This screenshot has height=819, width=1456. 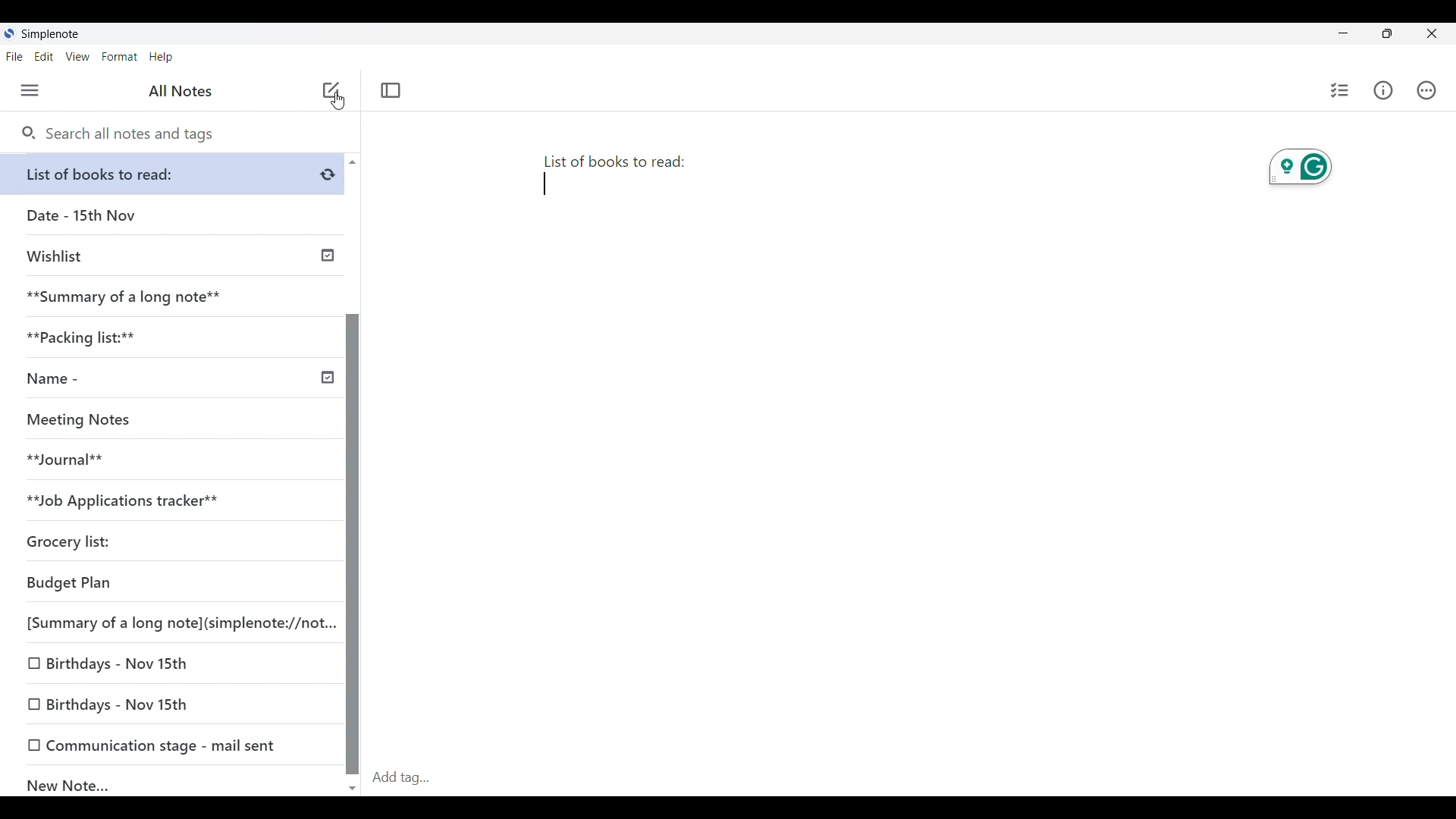 I want to click on All Notes, so click(x=178, y=91).